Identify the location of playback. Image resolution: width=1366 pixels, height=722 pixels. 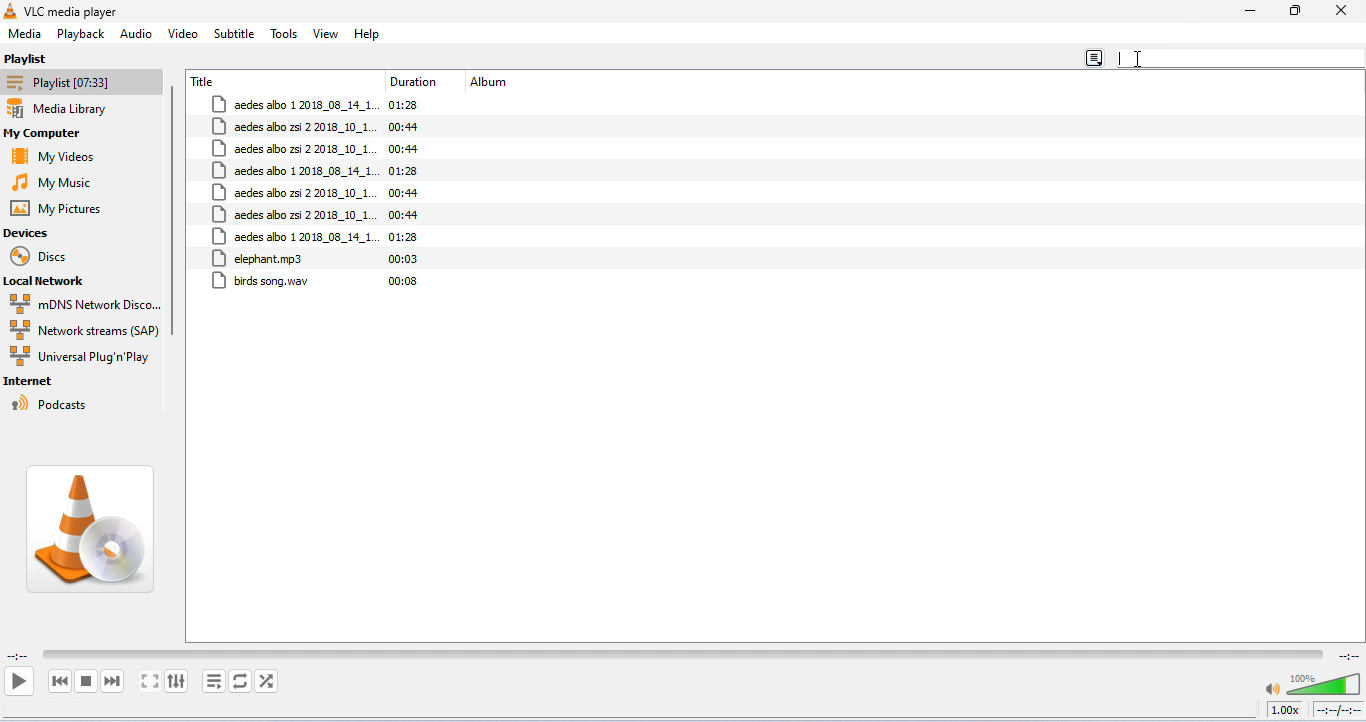
(82, 35).